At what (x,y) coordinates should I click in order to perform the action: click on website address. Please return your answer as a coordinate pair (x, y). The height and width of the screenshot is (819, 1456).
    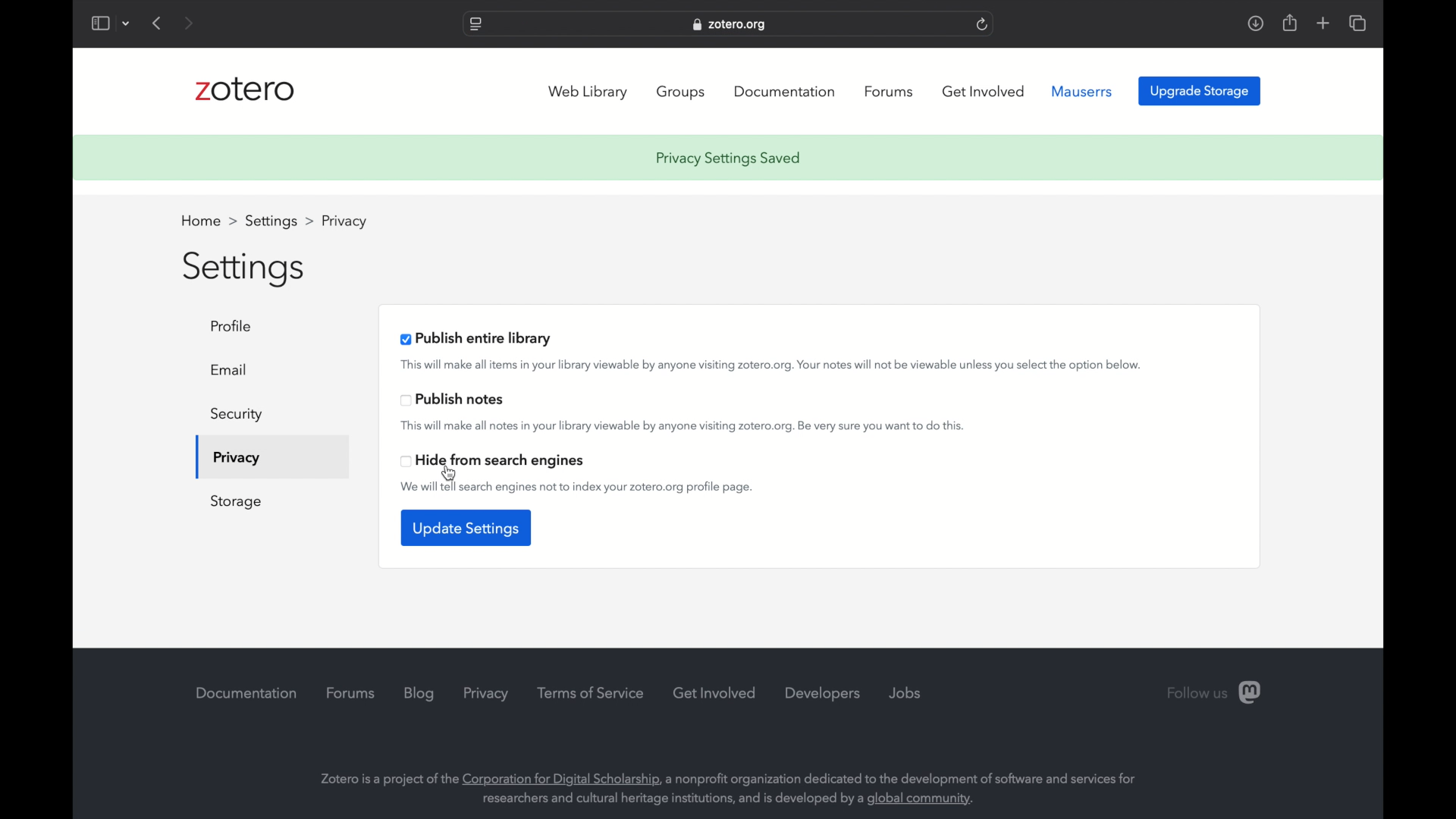
    Looking at the image, I should click on (729, 24).